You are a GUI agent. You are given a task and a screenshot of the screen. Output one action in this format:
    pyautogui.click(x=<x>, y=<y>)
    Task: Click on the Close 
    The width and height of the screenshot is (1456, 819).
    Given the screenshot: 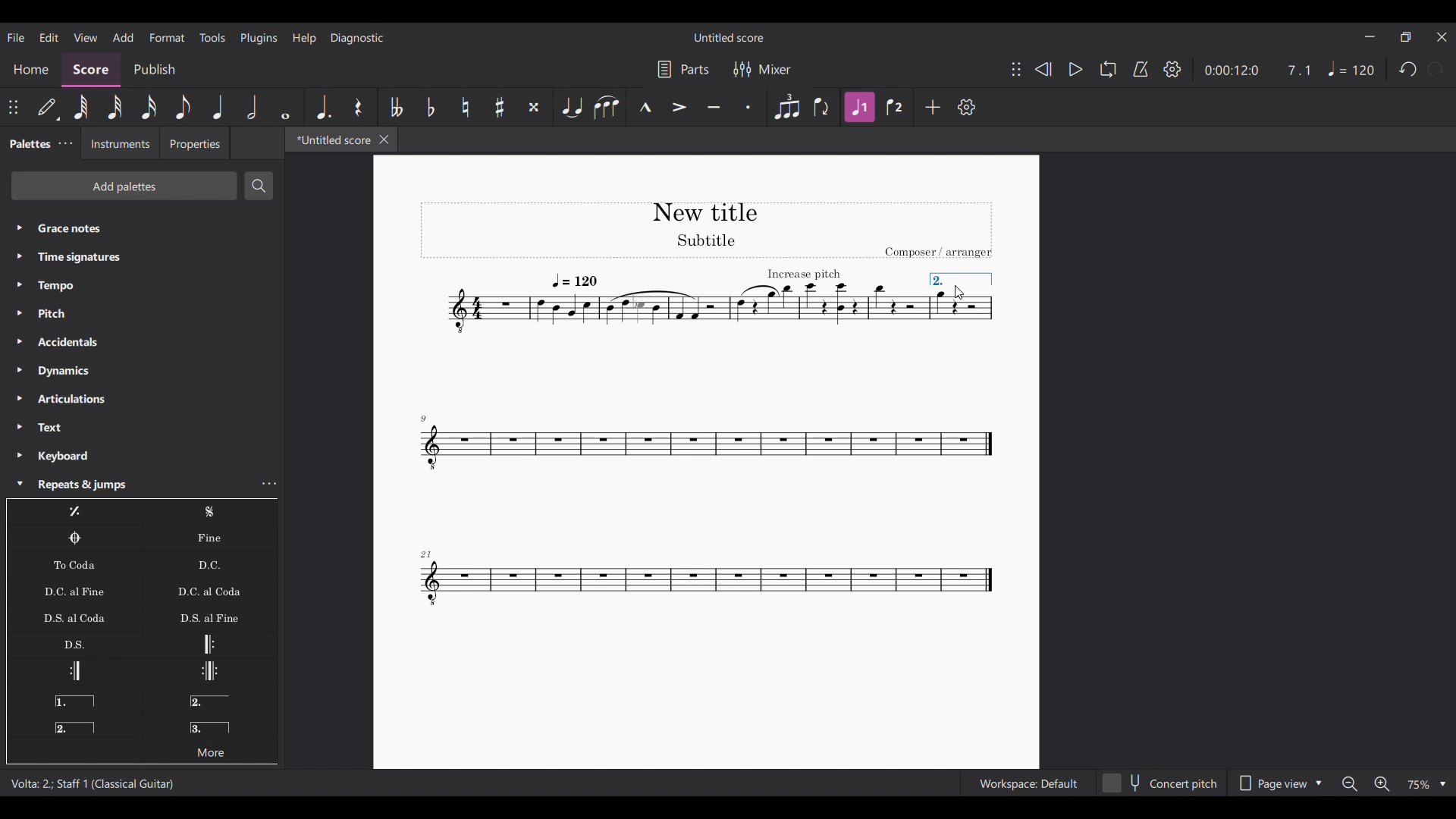 What is the action you would take?
    pyautogui.click(x=384, y=140)
    